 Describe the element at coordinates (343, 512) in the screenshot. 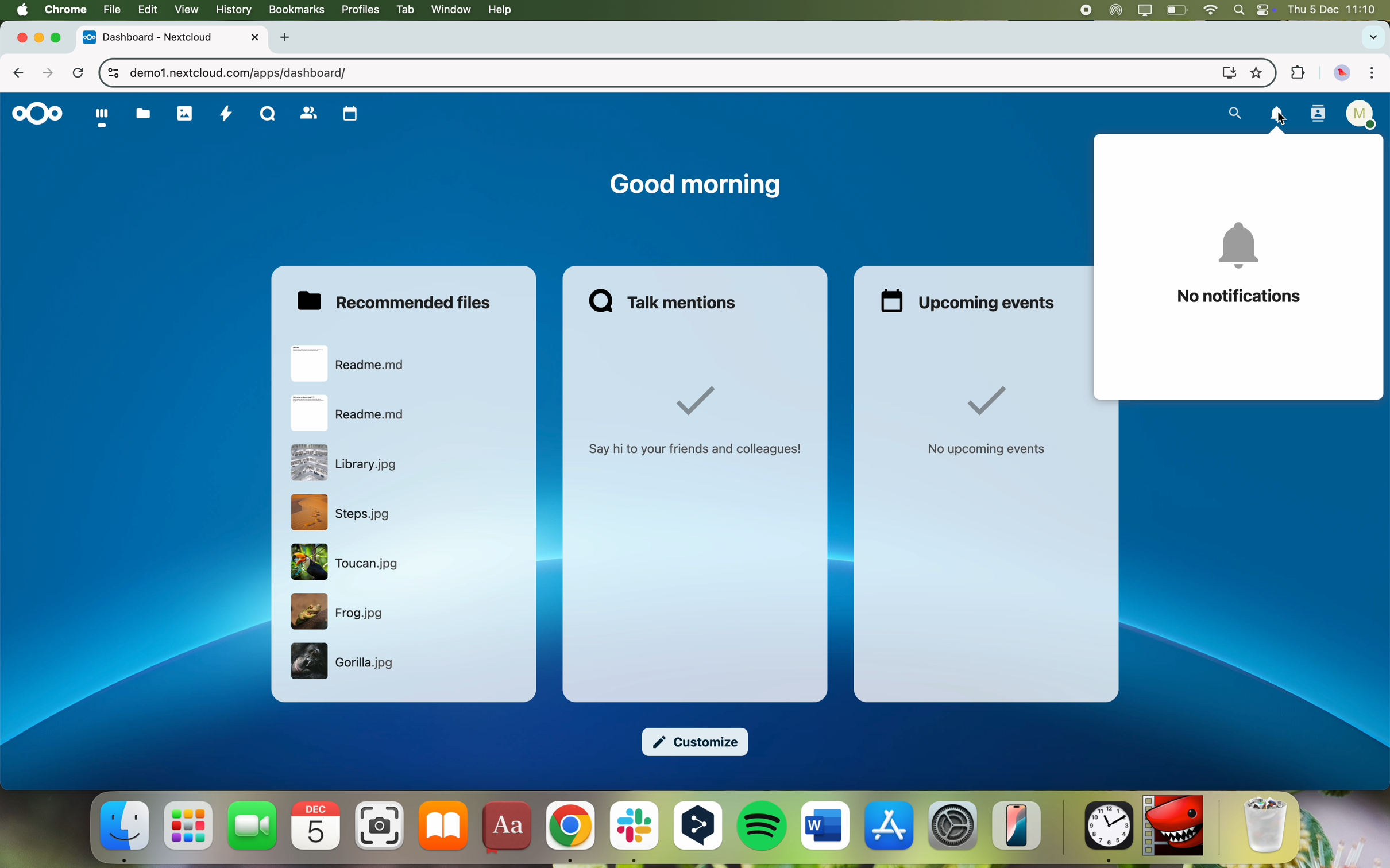

I see `file` at that location.